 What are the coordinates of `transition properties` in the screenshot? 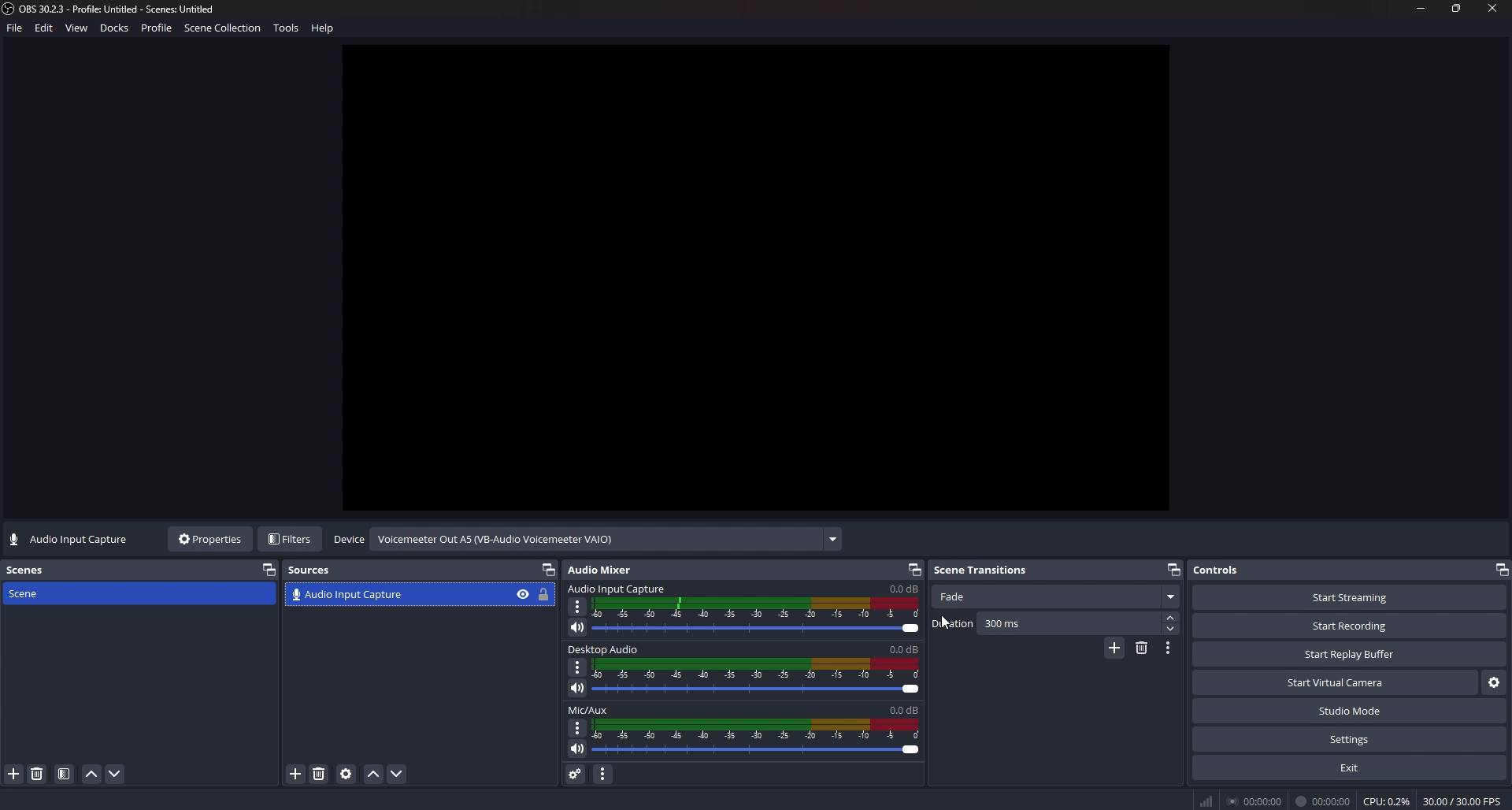 It's located at (1169, 648).